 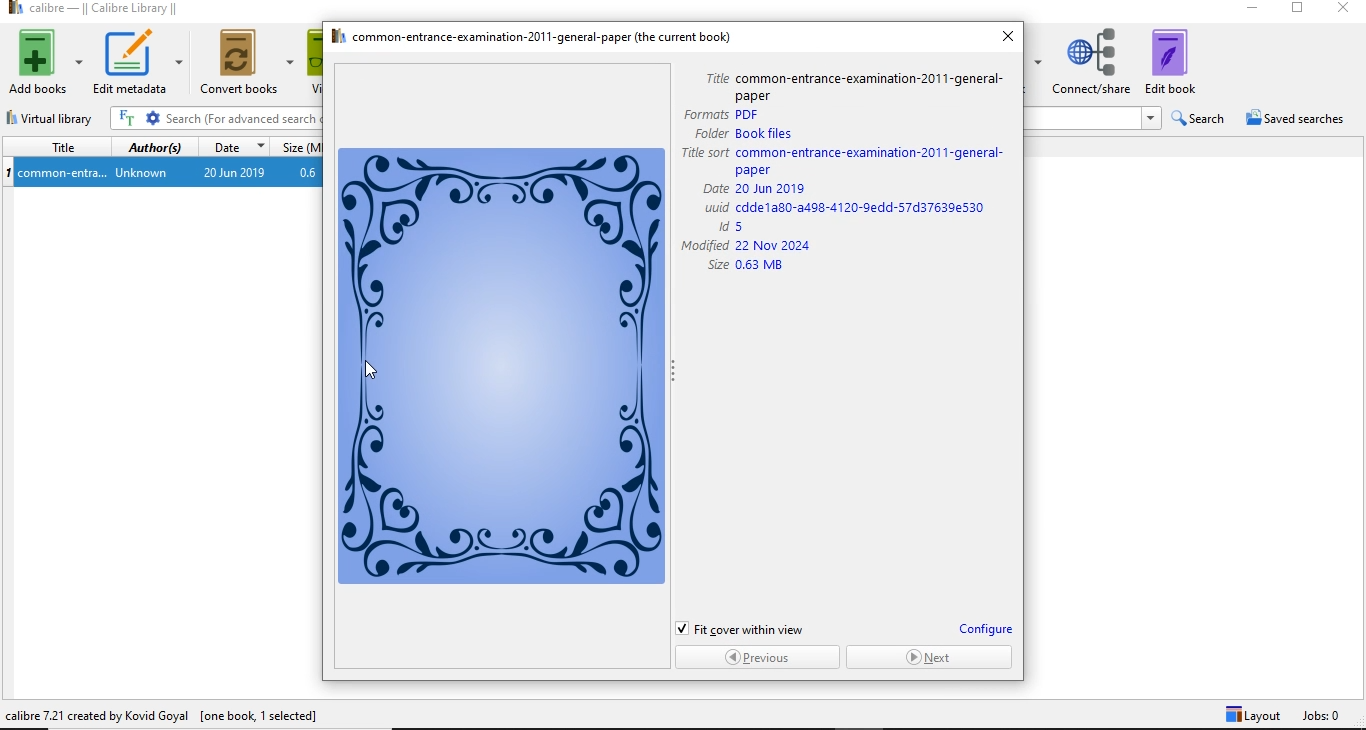 What do you see at coordinates (747, 226) in the screenshot?
I see `id 5` at bounding box center [747, 226].